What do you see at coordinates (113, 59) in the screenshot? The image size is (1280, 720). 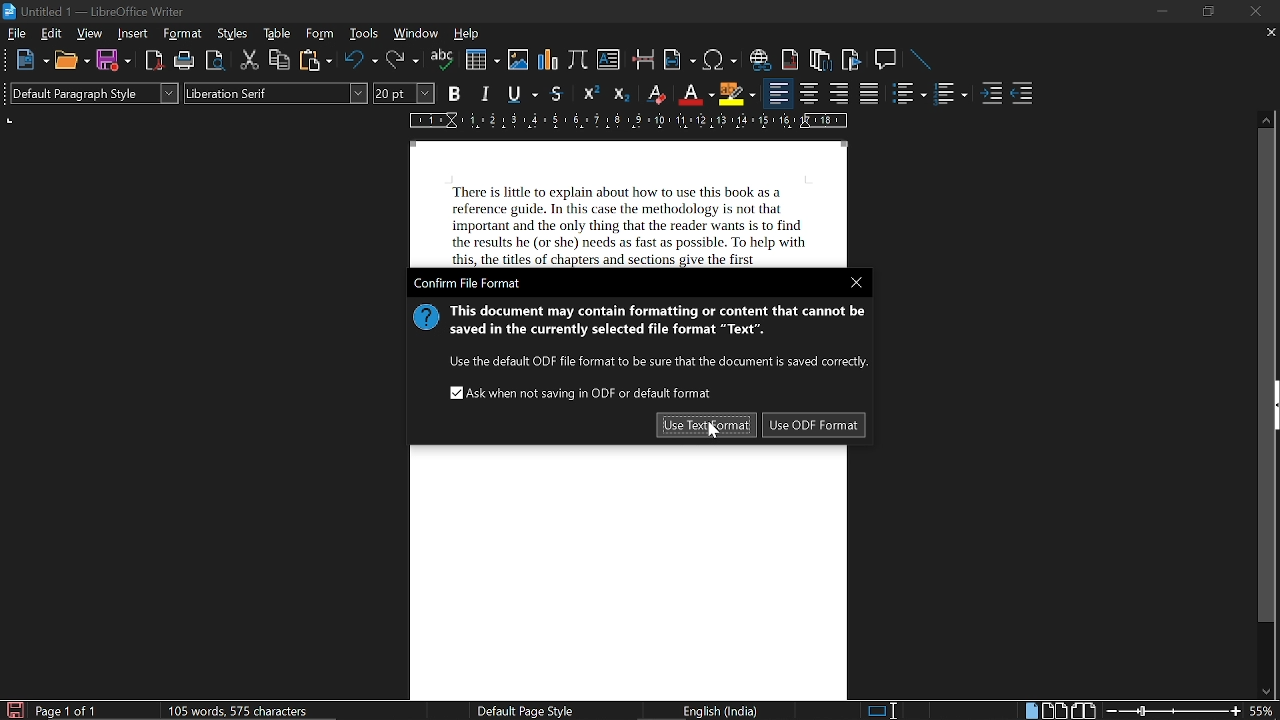 I see `save` at bounding box center [113, 59].